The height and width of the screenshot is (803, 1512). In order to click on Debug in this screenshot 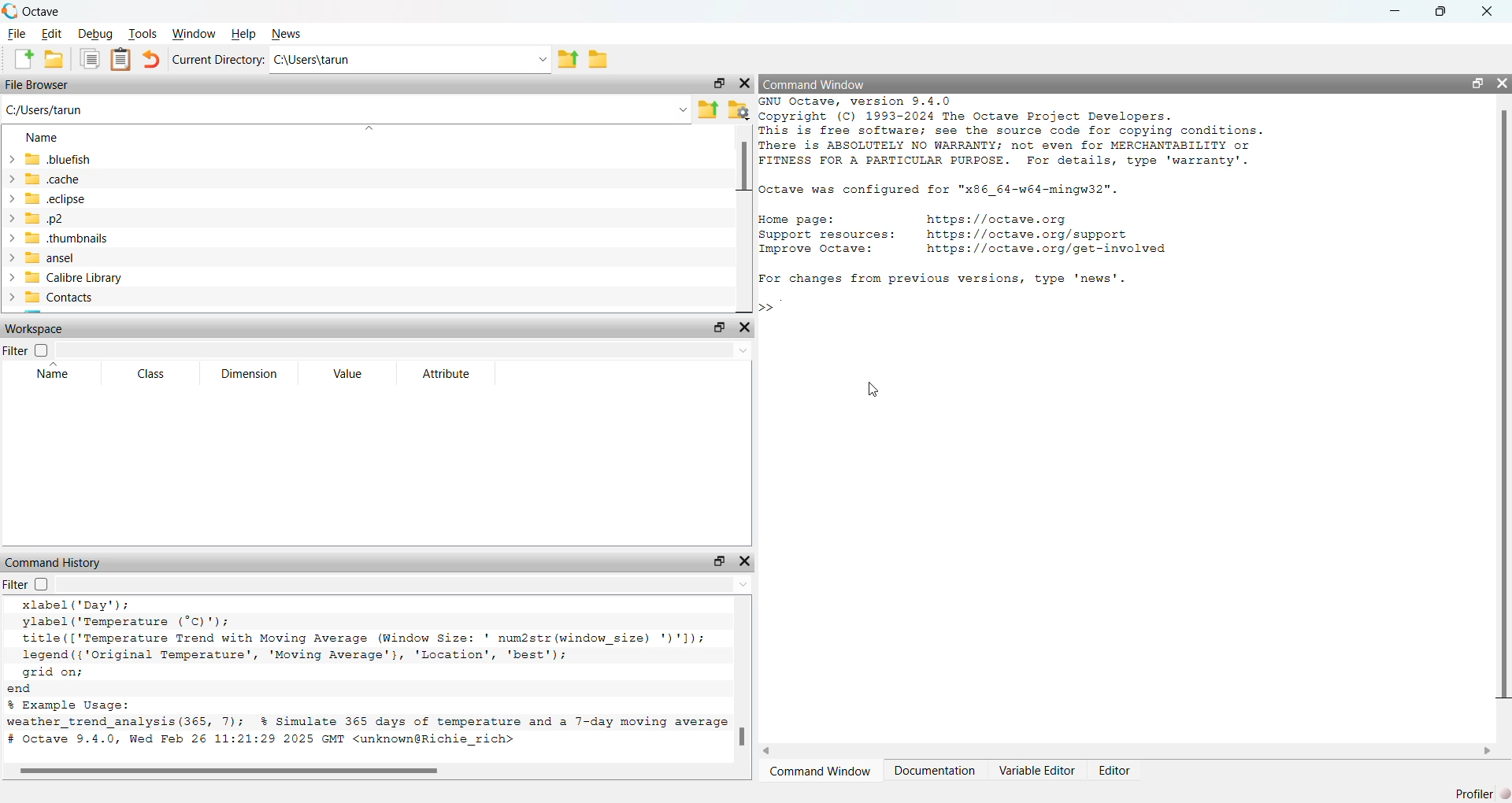, I will do `click(96, 32)`.